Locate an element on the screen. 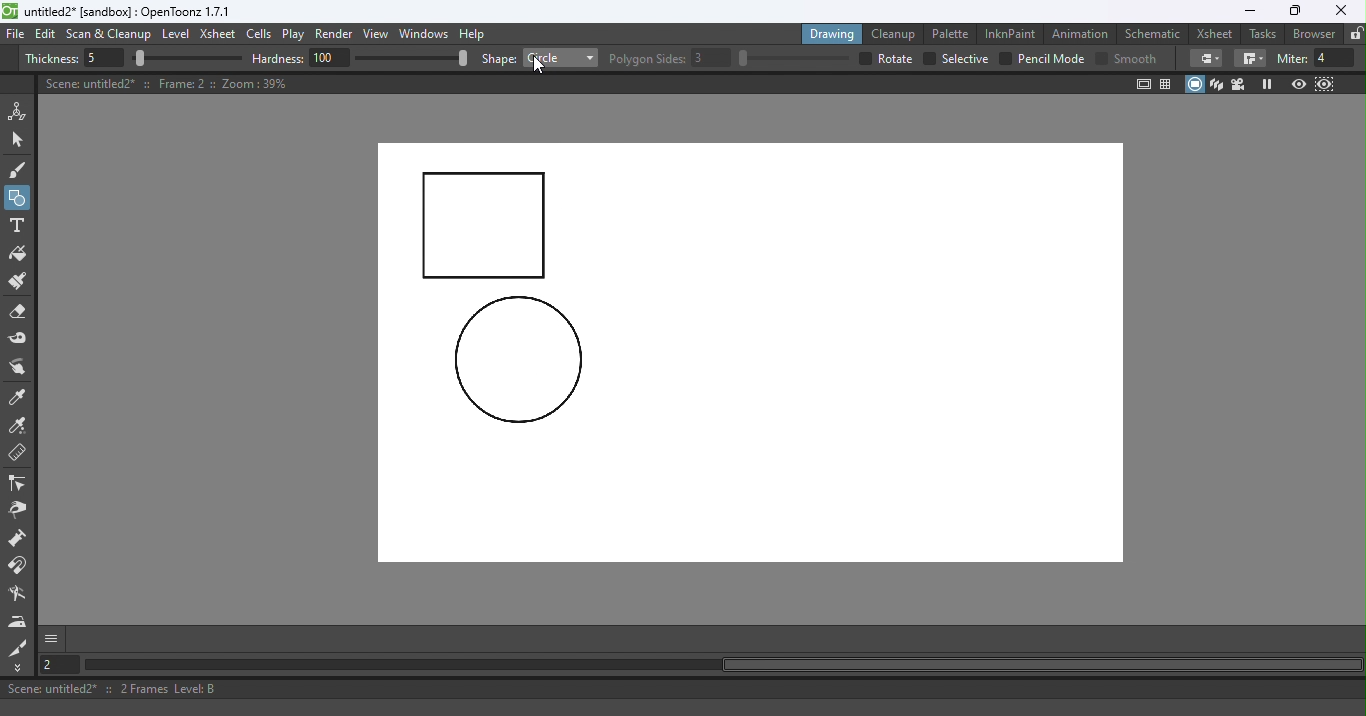 The image size is (1366, 716). Thickness is located at coordinates (51, 59).